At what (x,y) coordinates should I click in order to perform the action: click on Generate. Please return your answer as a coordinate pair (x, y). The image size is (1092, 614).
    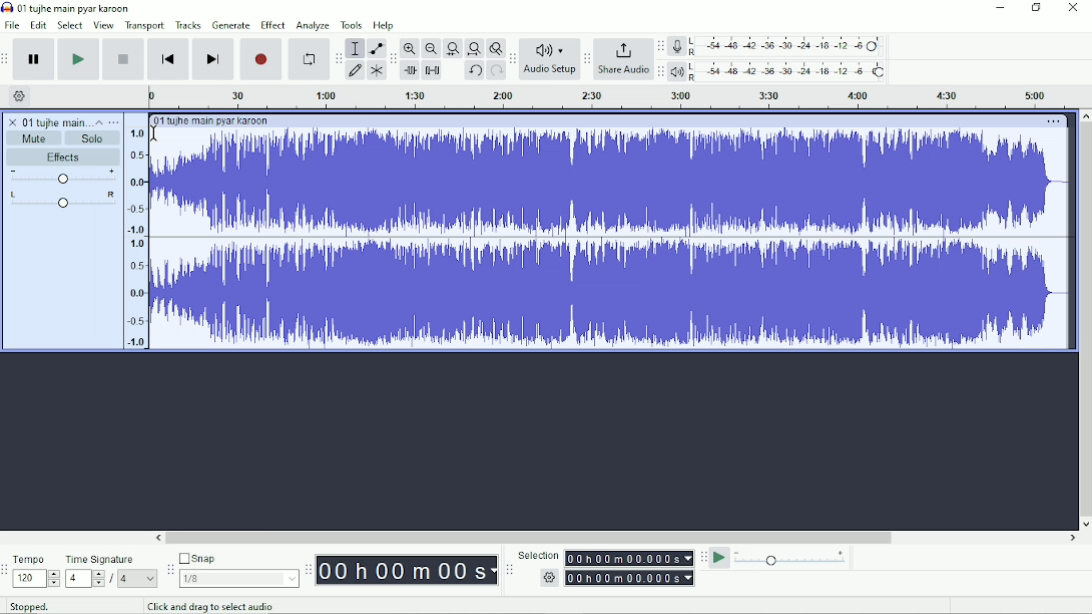
    Looking at the image, I should click on (231, 25).